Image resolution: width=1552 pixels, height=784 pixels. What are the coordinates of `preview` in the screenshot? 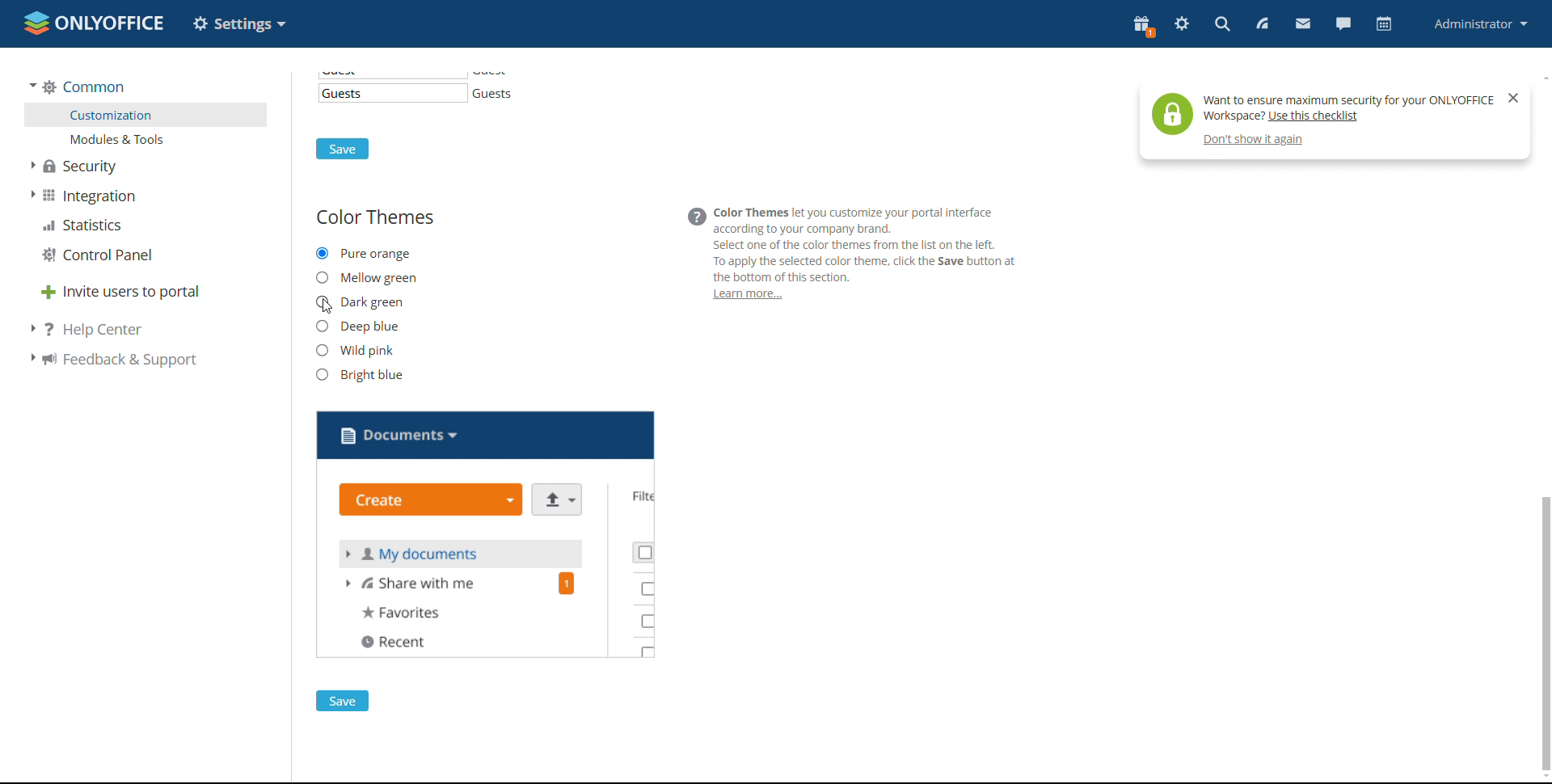 It's located at (487, 535).